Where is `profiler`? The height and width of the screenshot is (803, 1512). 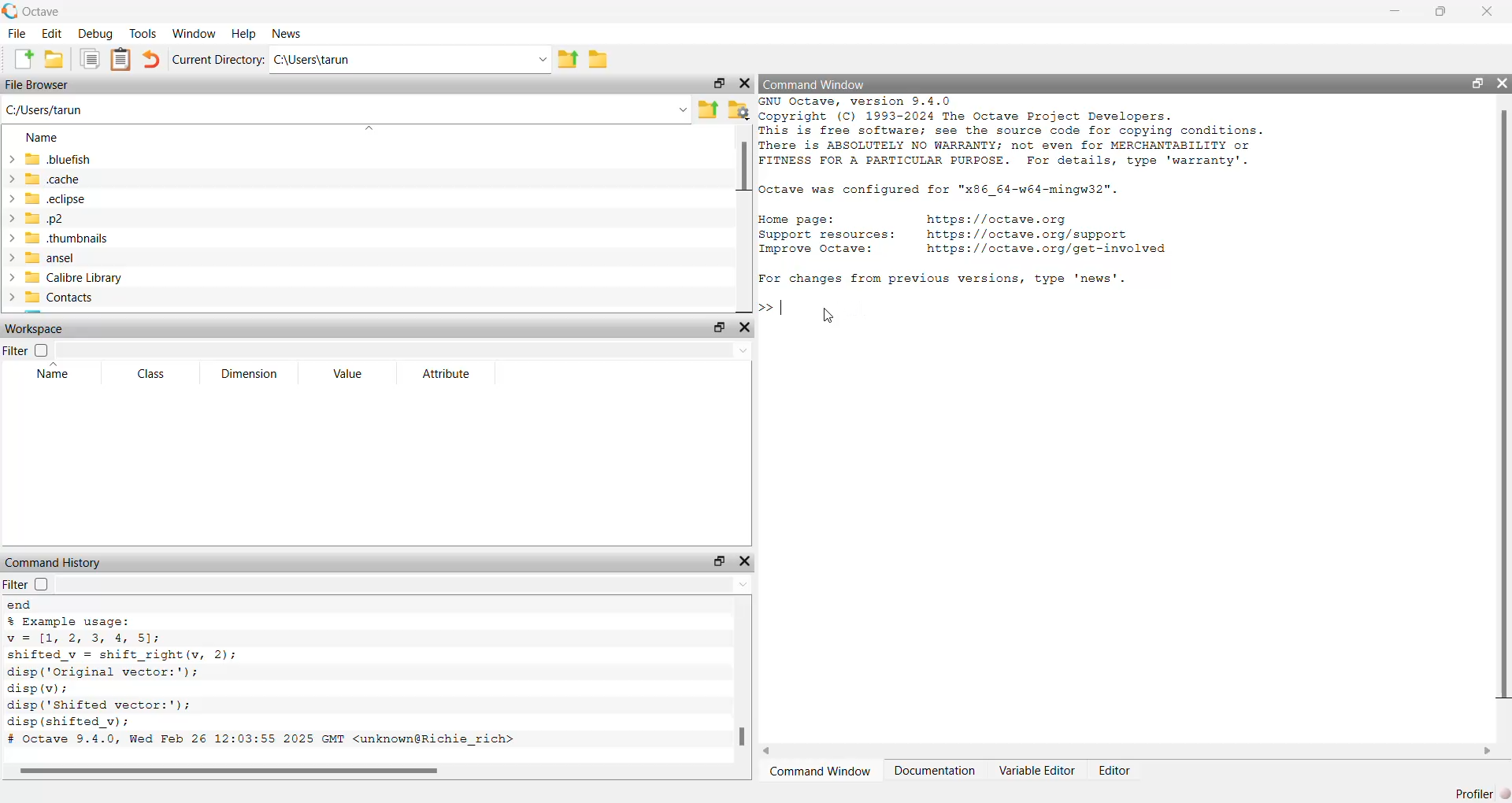
profiler is located at coordinates (1477, 792).